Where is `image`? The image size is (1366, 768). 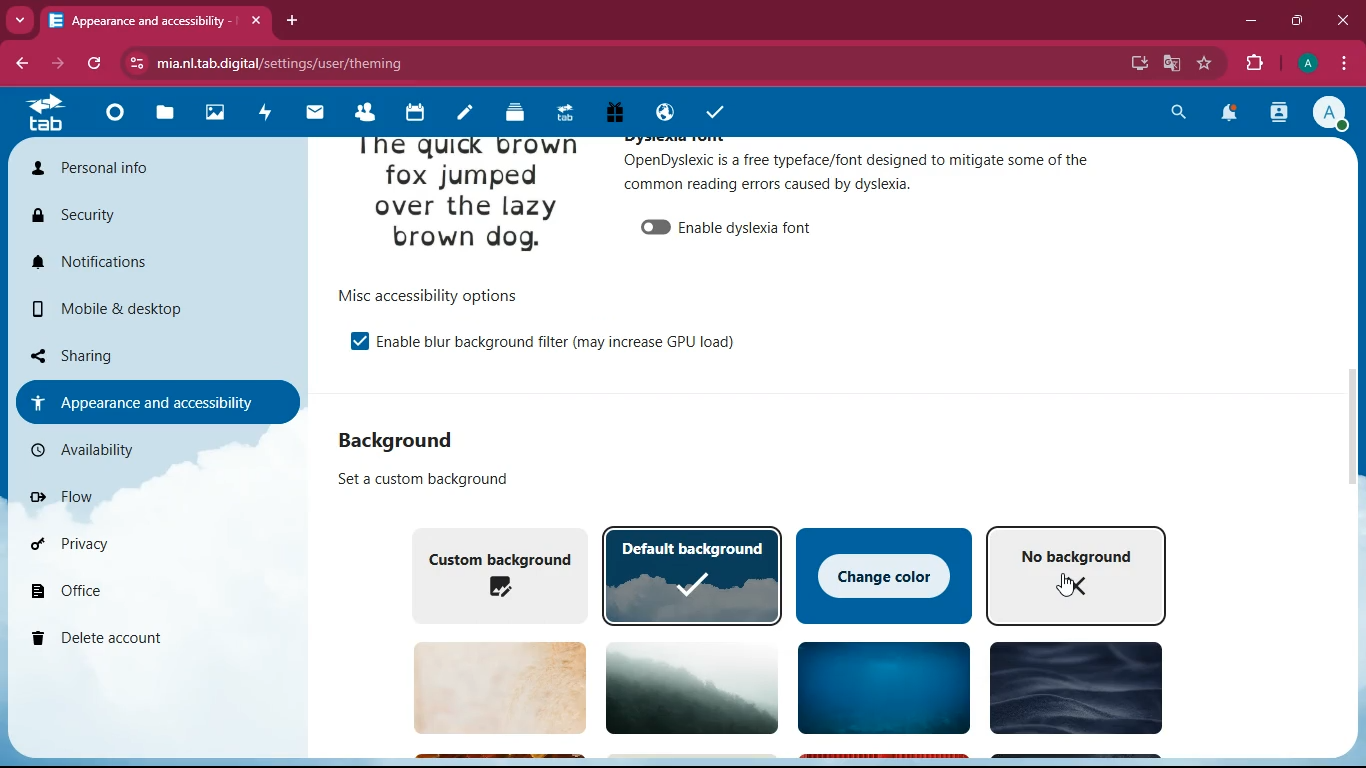
image is located at coordinates (468, 201).